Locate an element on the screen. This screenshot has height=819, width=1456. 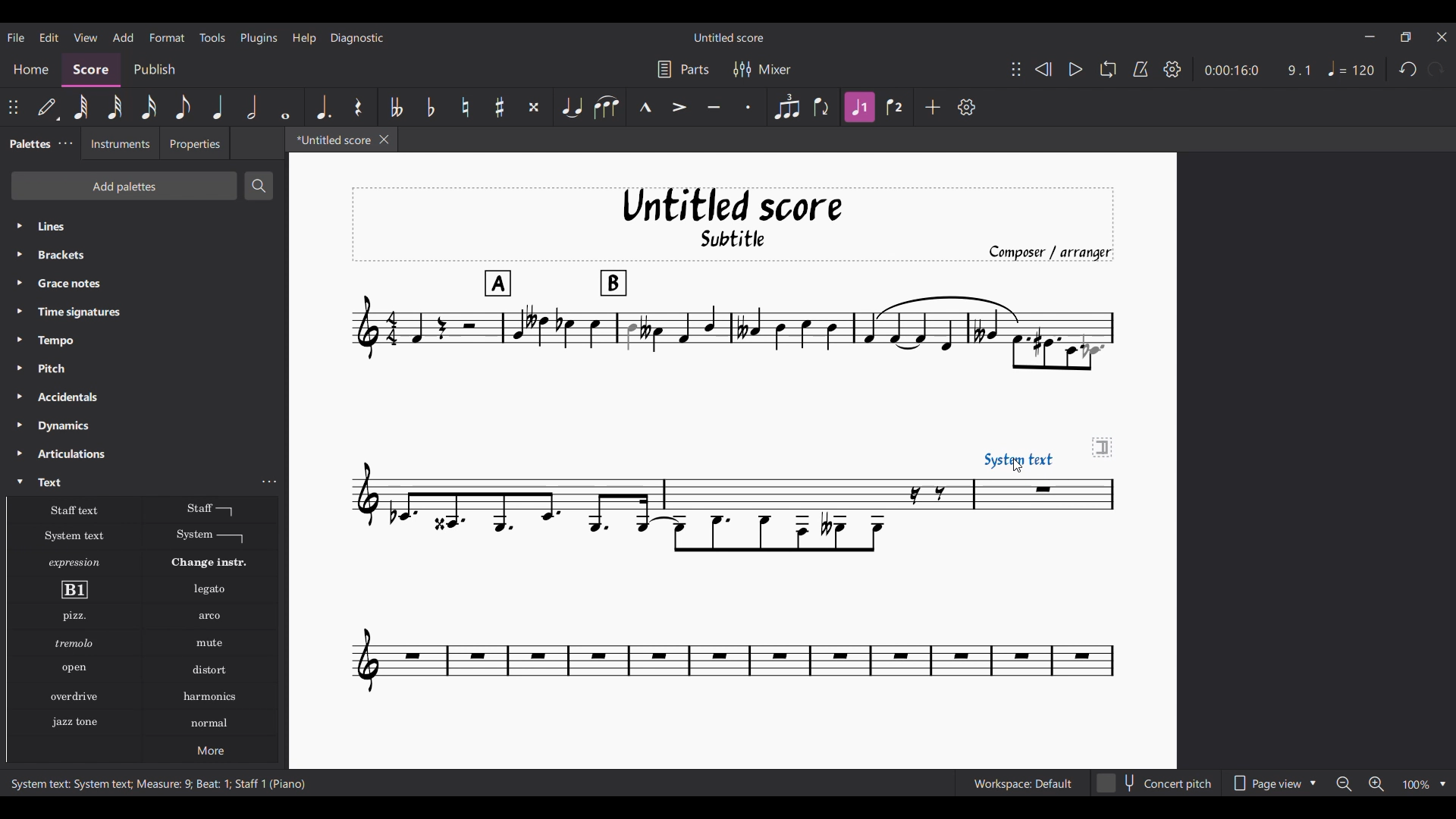
Default is located at coordinates (48, 107).